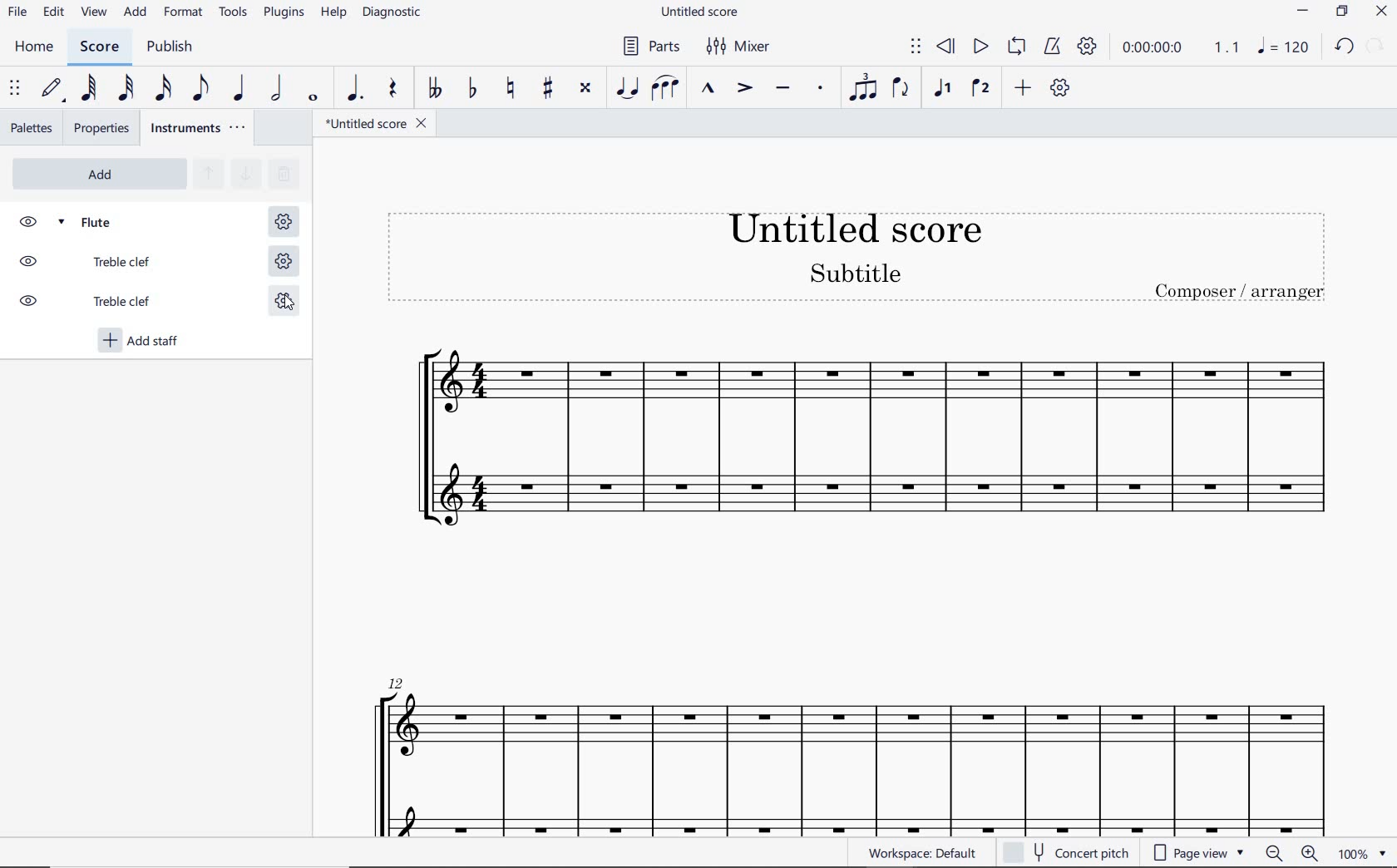 The image size is (1397, 868). I want to click on REMOVE SELECTED INSTRUMENTS, so click(282, 172).